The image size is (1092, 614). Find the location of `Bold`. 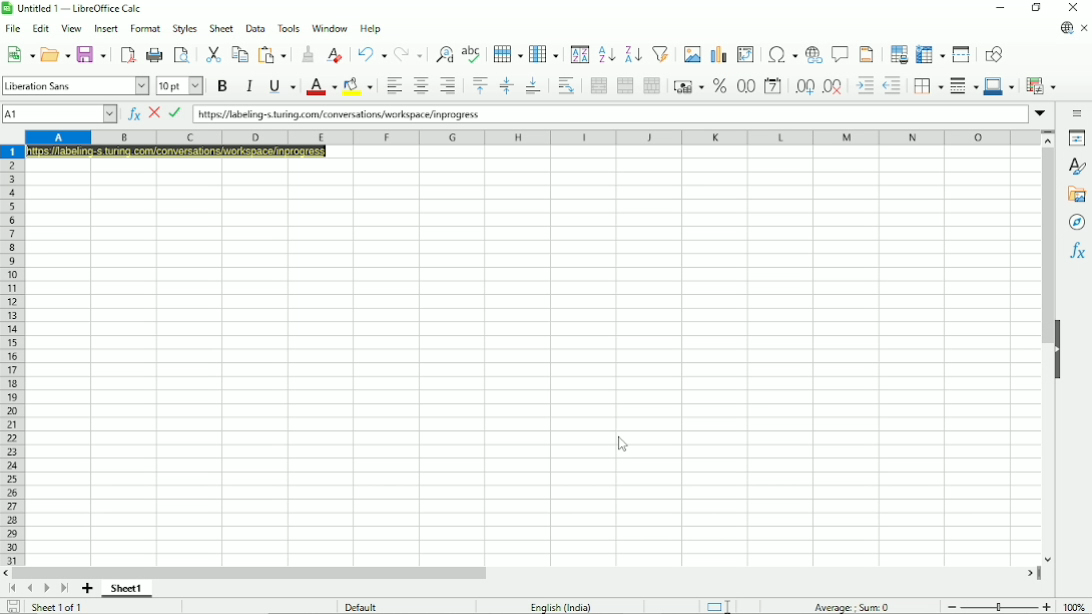

Bold is located at coordinates (222, 85).